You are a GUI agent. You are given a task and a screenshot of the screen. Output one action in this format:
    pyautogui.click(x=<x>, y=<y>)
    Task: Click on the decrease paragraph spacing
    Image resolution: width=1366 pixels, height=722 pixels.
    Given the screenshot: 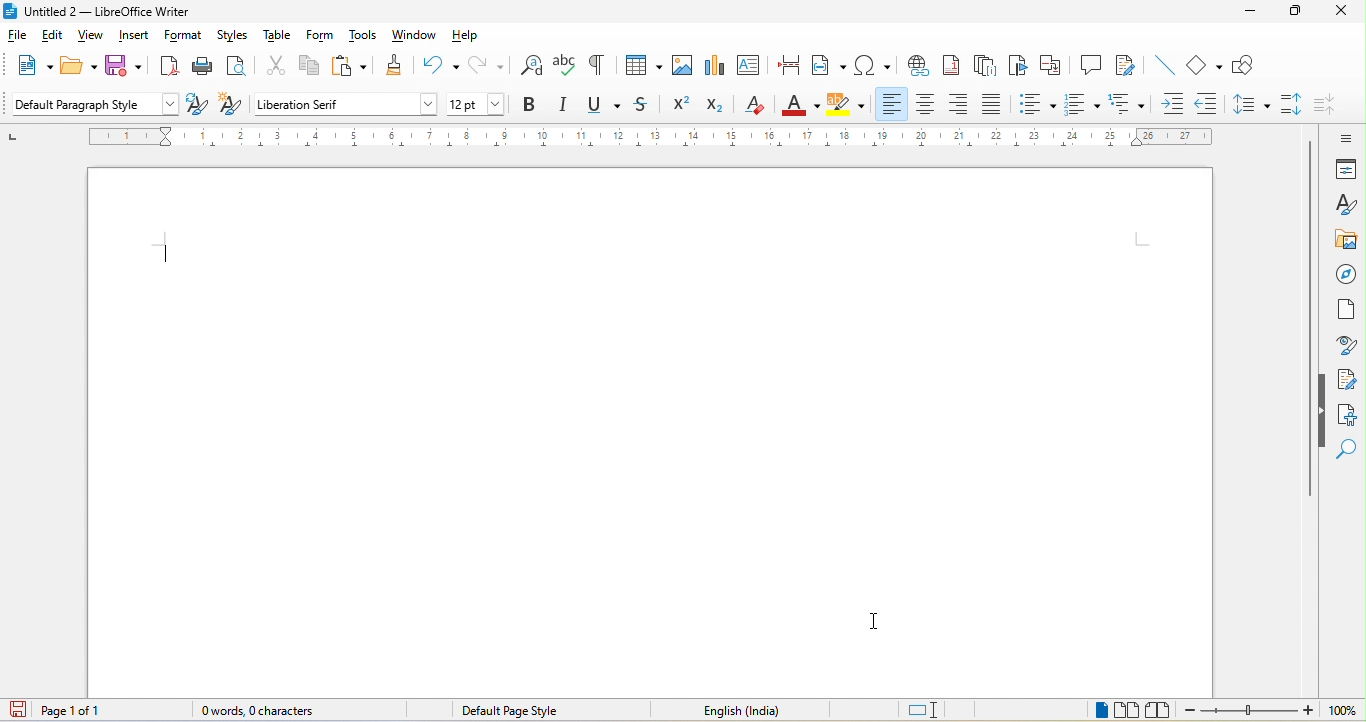 What is the action you would take?
    pyautogui.click(x=1332, y=105)
    